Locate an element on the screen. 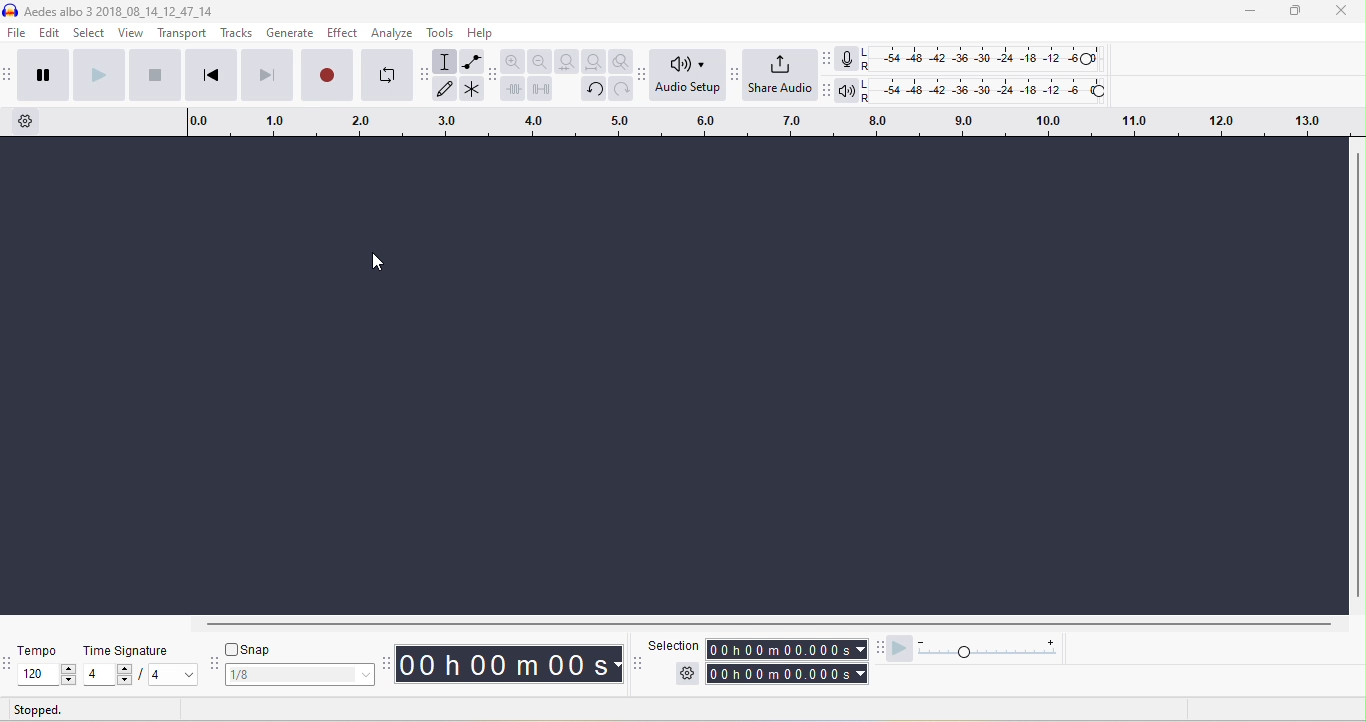 This screenshot has height=722, width=1366. audacity edit toolbar is located at coordinates (492, 74).